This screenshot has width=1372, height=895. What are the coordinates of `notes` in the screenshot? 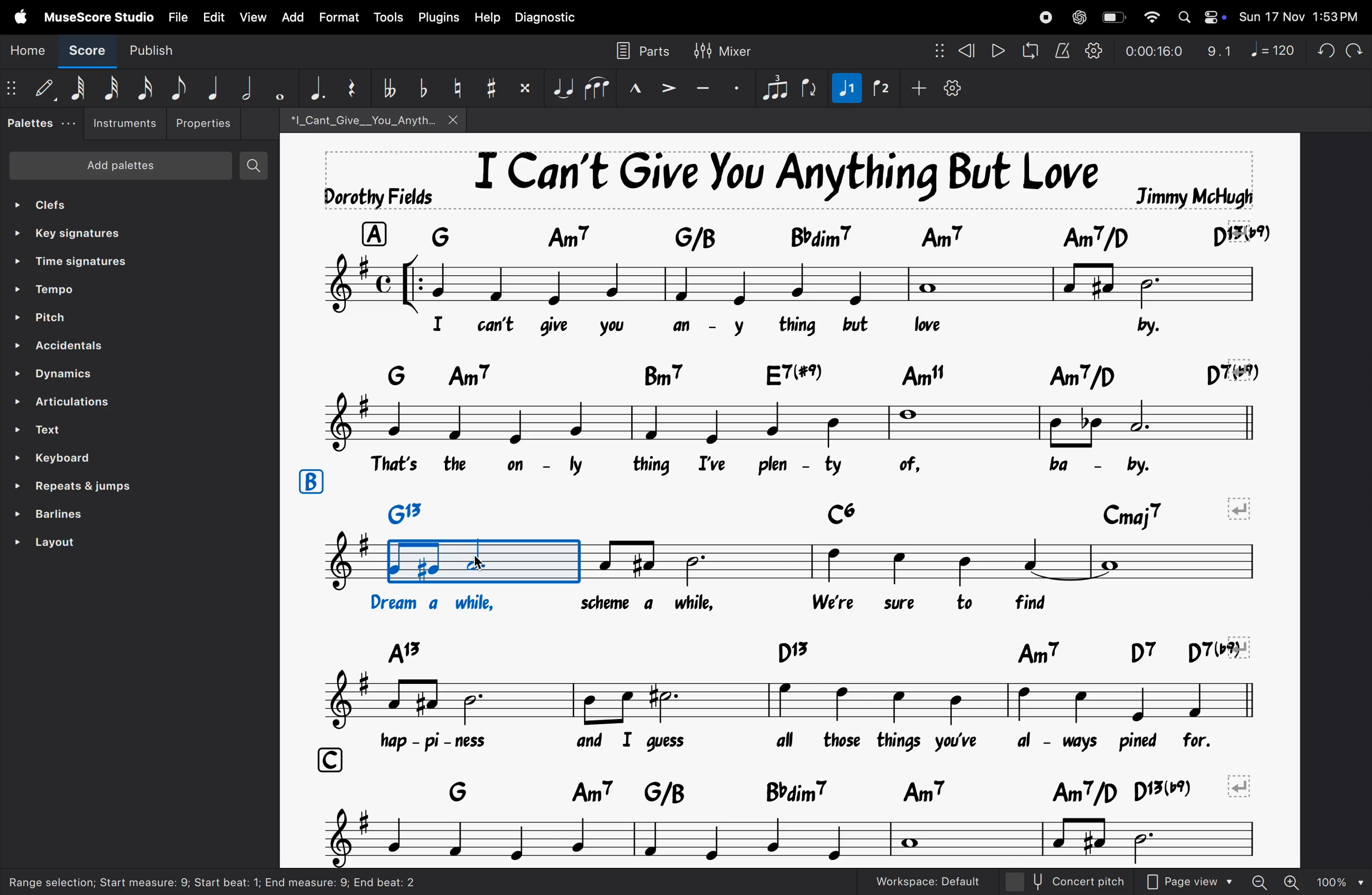 It's located at (780, 563).